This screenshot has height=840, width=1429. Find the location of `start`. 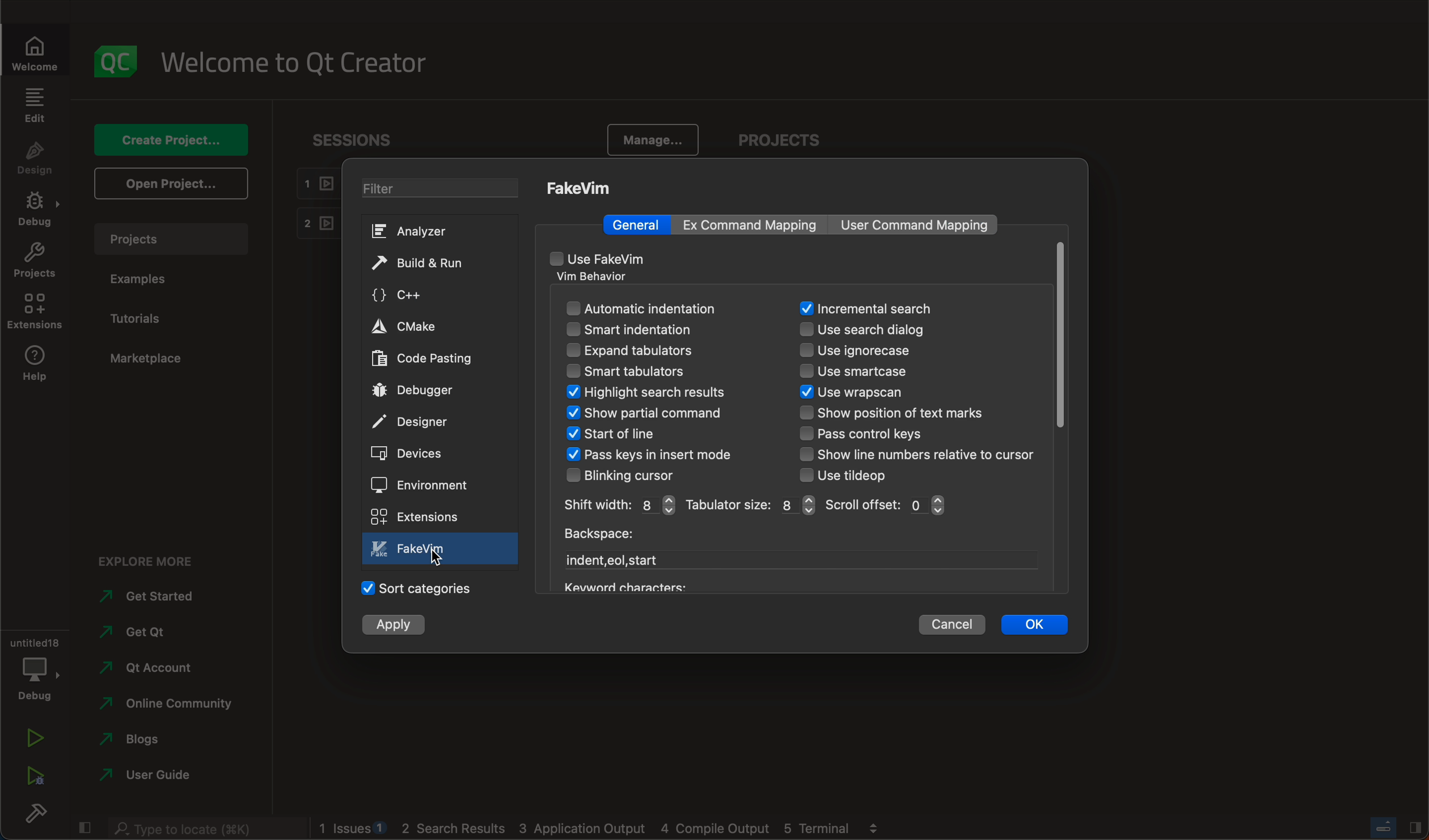

start is located at coordinates (616, 561).